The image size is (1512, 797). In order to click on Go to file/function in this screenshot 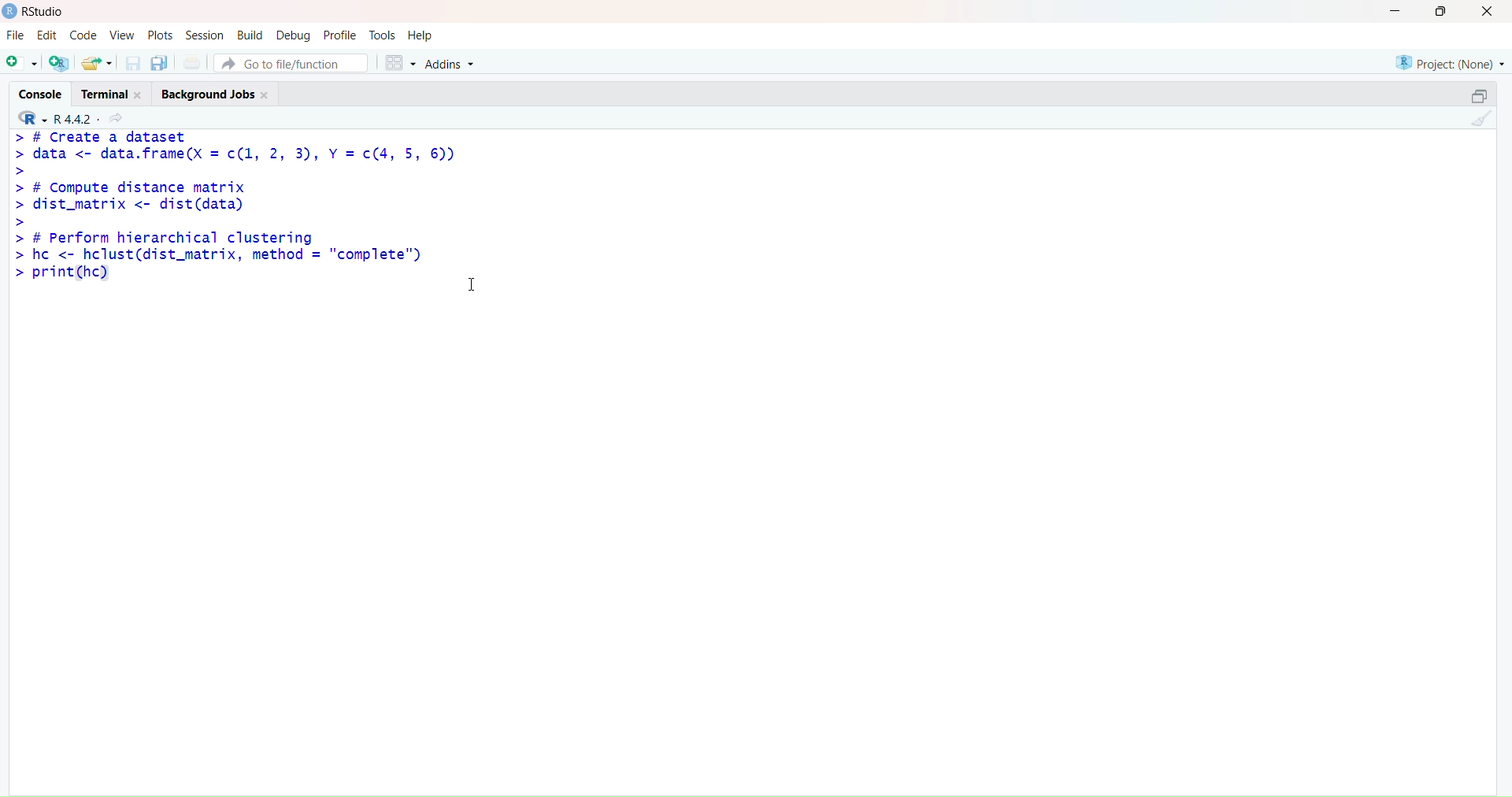, I will do `click(296, 61)`.